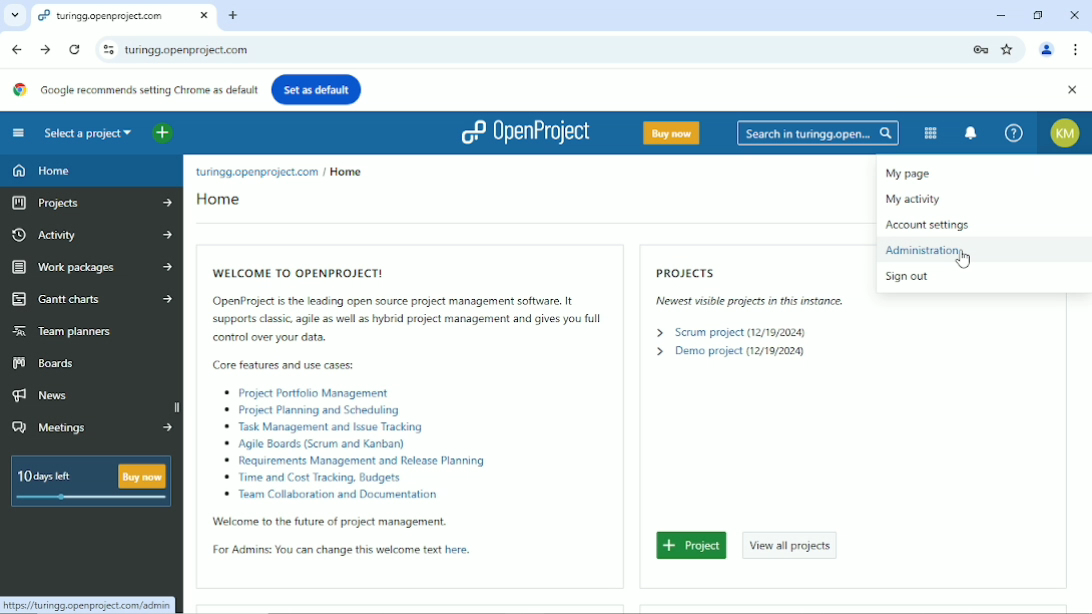 The image size is (1092, 614). Describe the element at coordinates (1038, 14) in the screenshot. I see `Restore down` at that location.